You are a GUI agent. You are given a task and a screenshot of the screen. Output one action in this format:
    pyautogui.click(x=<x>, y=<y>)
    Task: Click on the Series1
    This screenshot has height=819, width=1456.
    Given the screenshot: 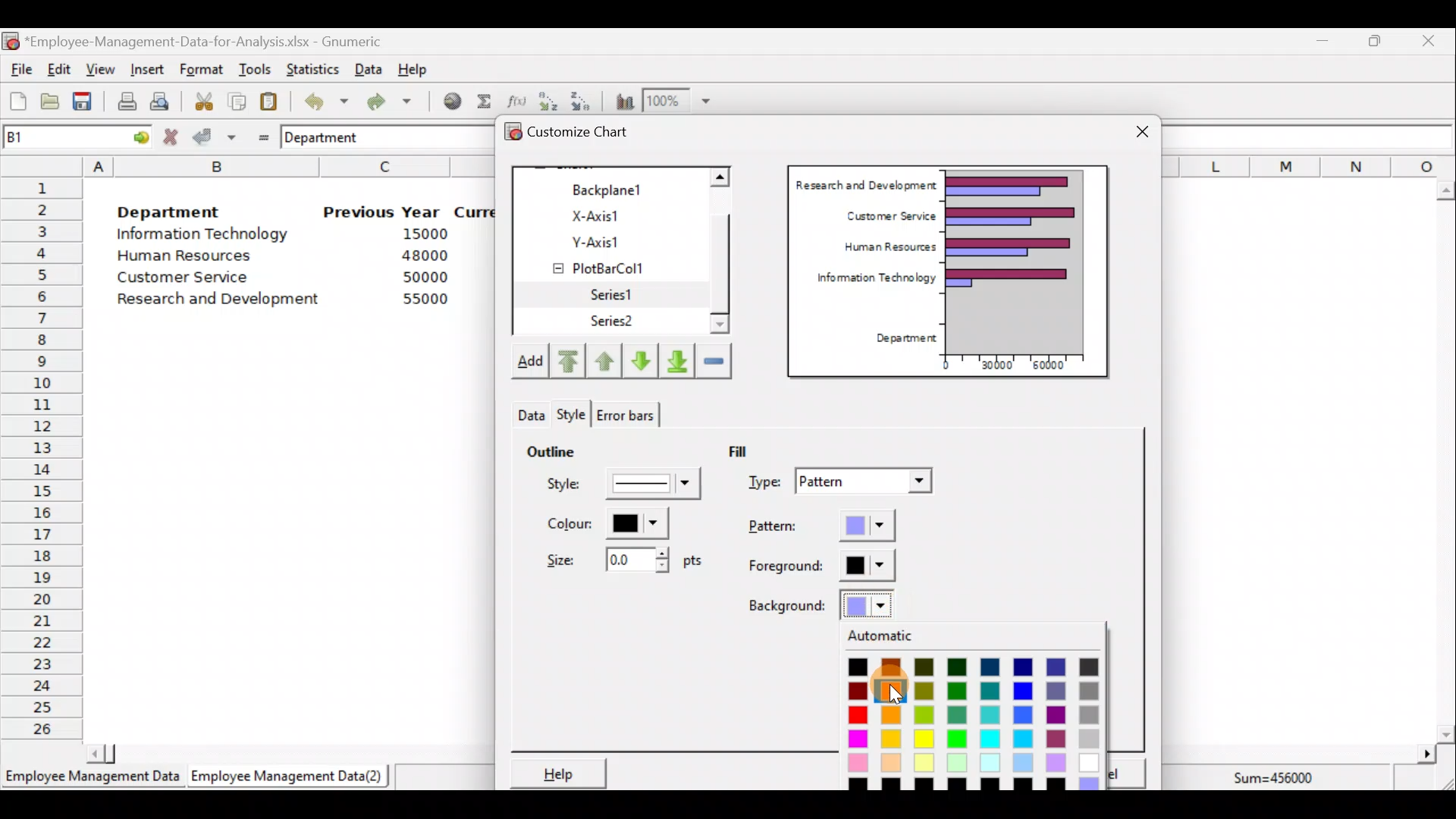 What is the action you would take?
    pyautogui.click(x=620, y=295)
    